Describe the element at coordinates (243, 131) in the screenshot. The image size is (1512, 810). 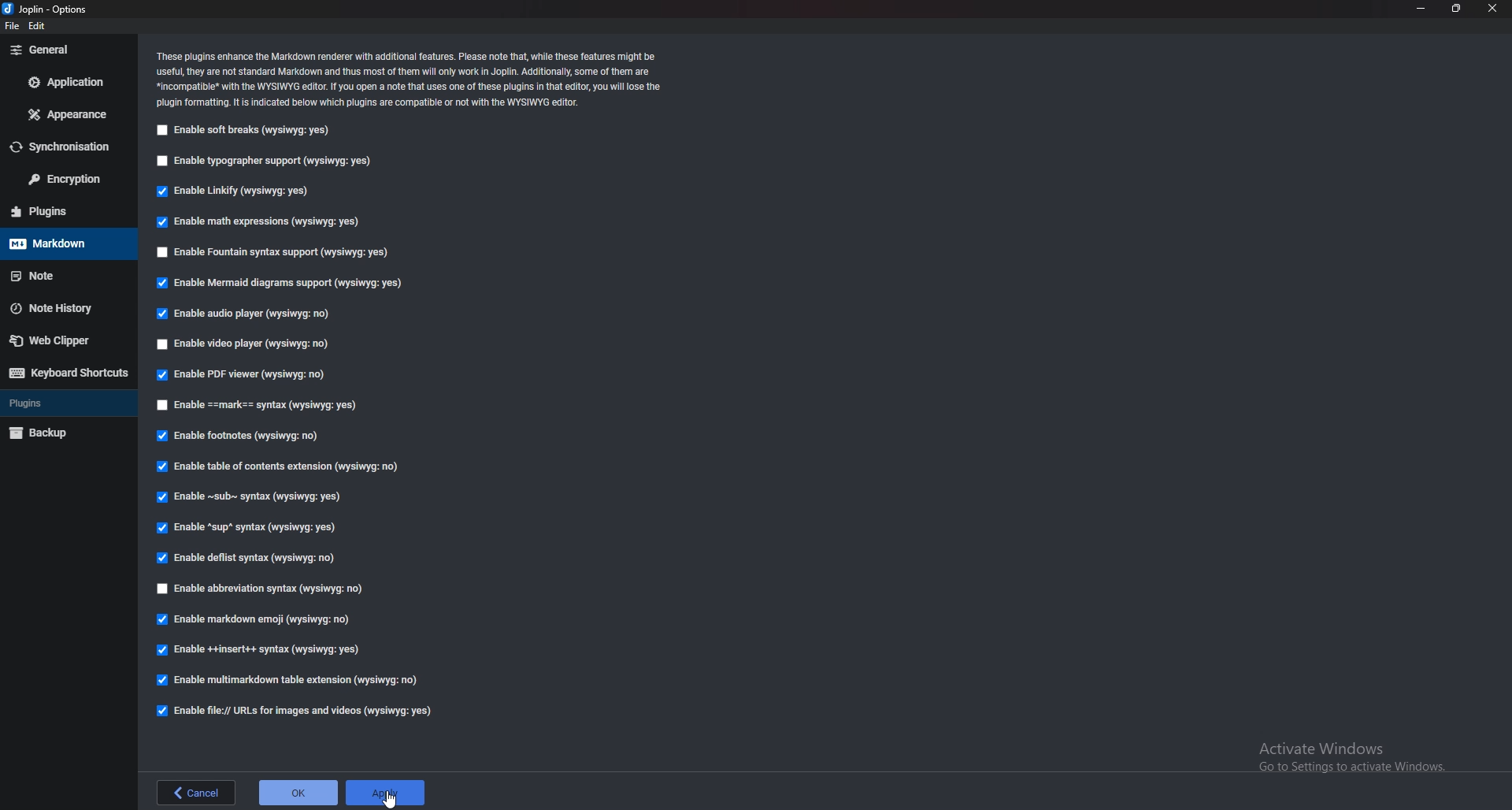
I see `enable soft breaks` at that location.